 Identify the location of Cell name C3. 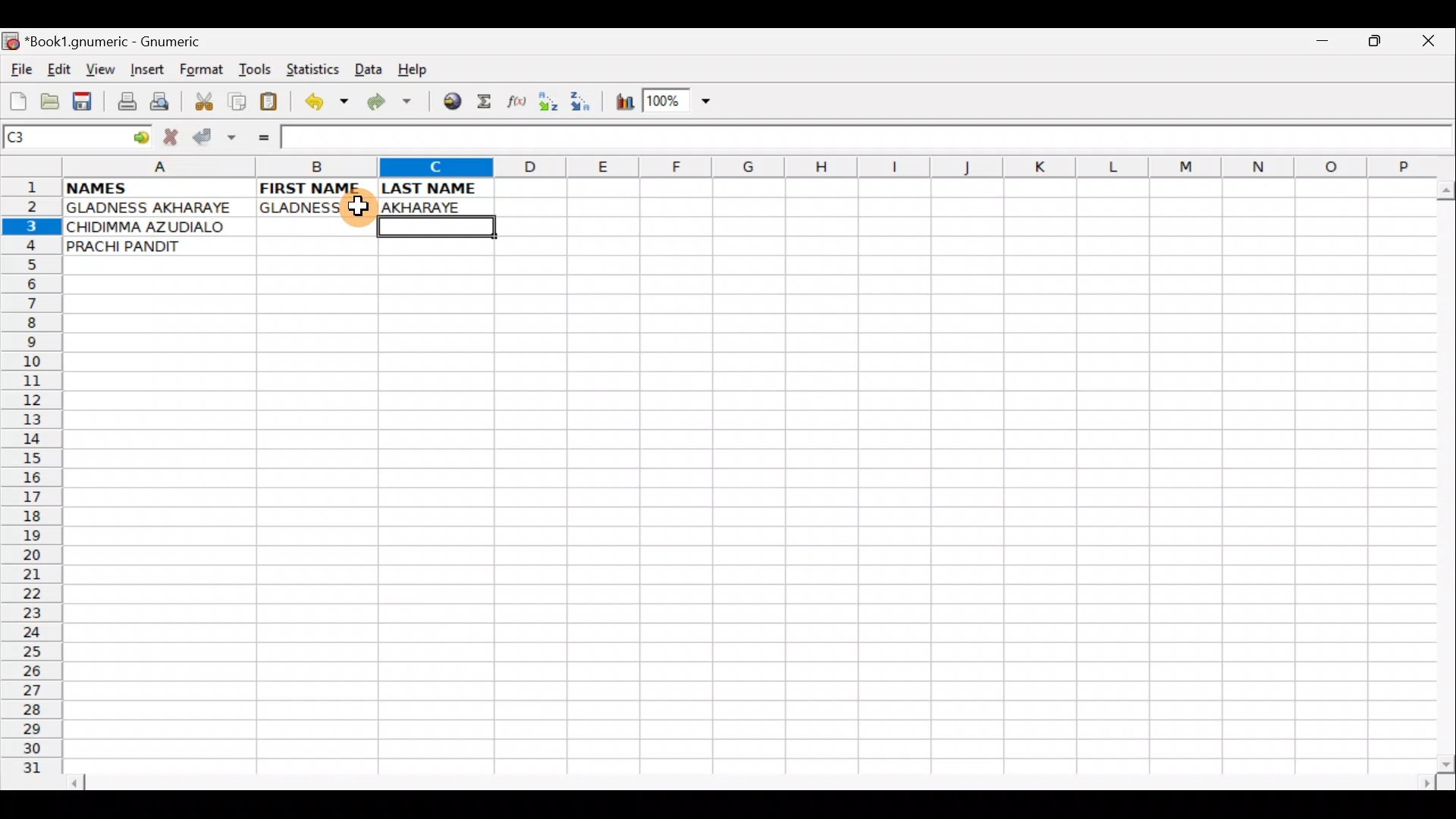
(61, 138).